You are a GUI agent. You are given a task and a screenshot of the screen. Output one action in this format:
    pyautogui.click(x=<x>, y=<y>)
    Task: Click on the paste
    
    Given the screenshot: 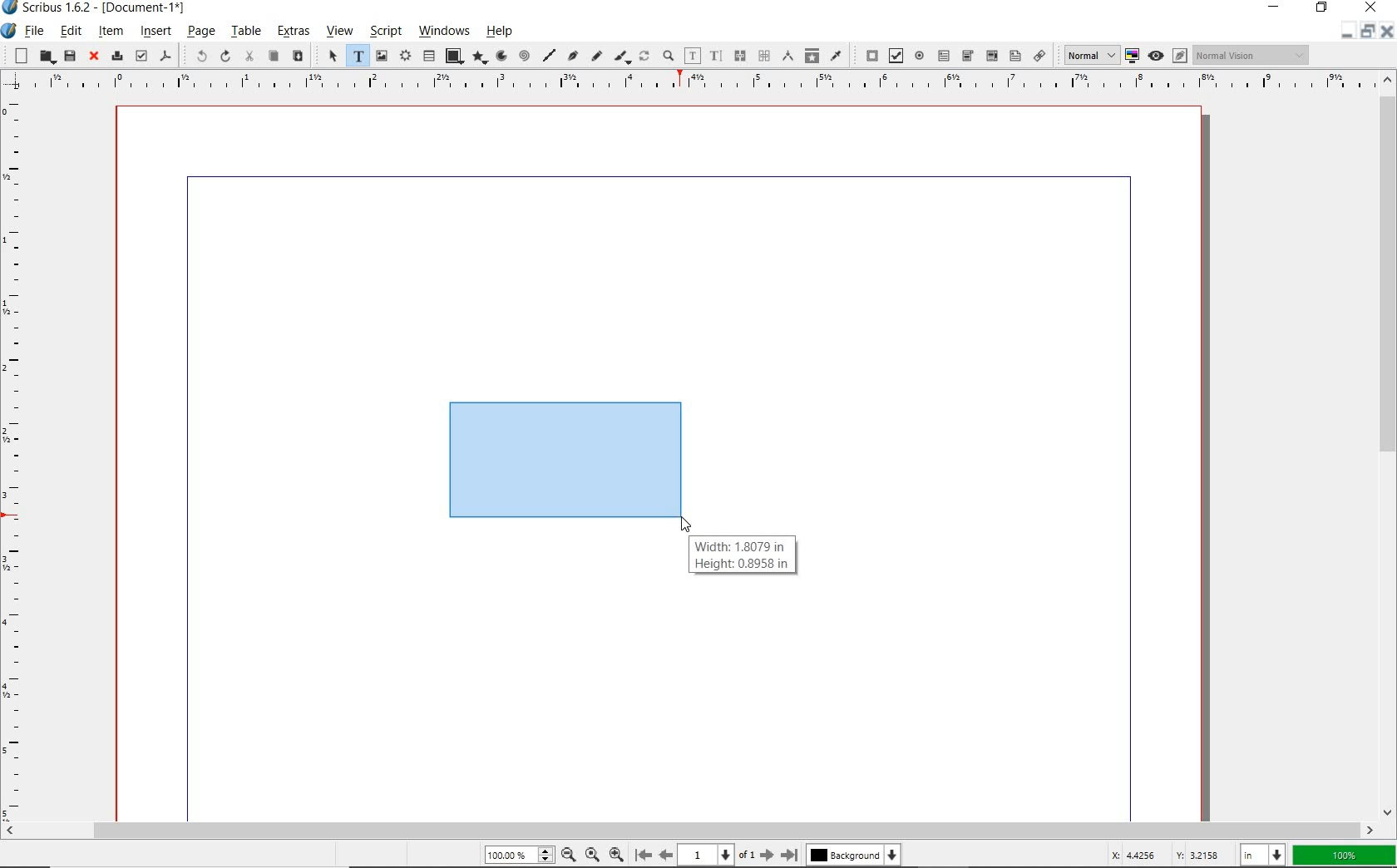 What is the action you would take?
    pyautogui.click(x=299, y=57)
    